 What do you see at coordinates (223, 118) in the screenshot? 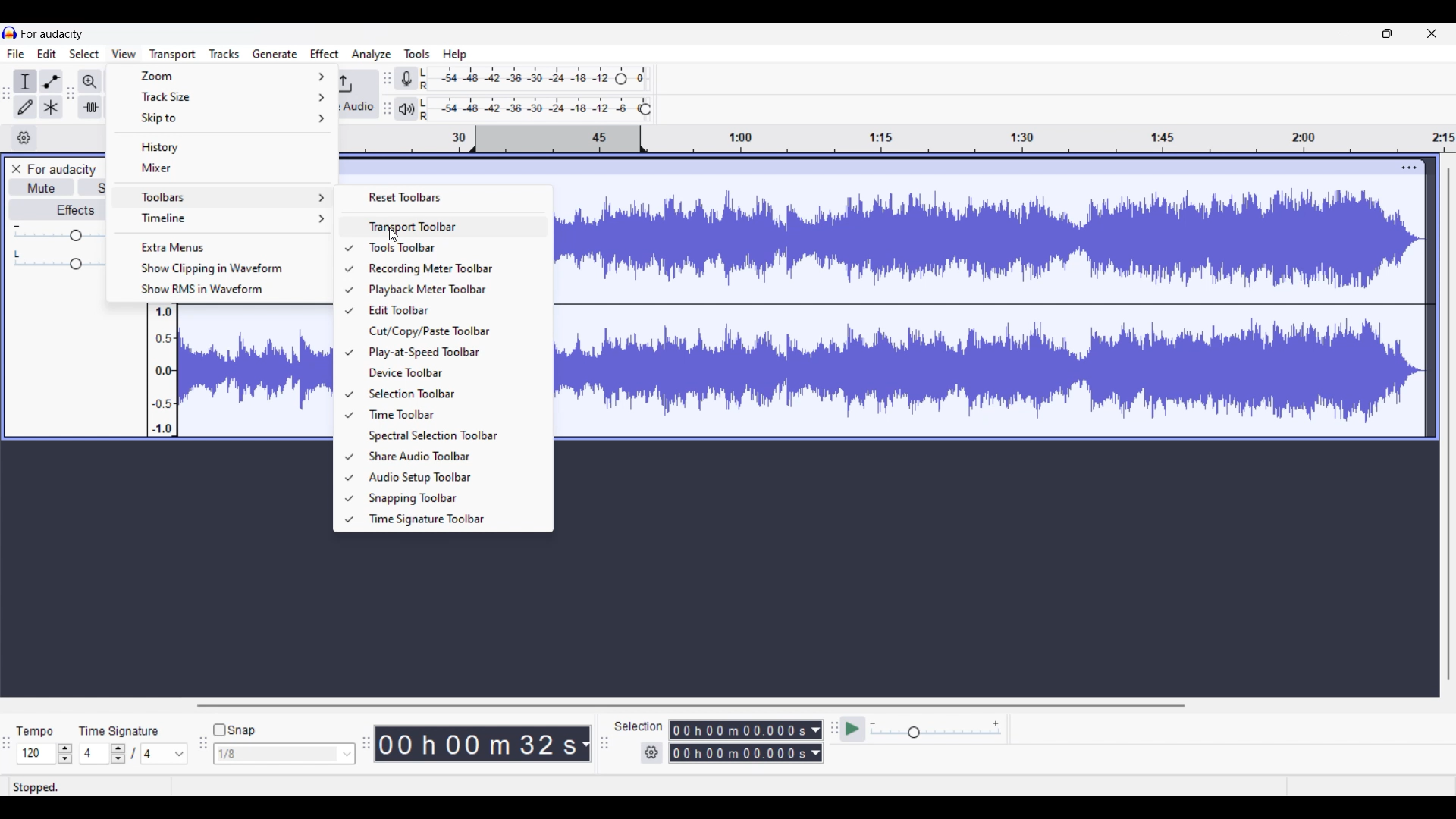
I see `Skip to options` at bounding box center [223, 118].